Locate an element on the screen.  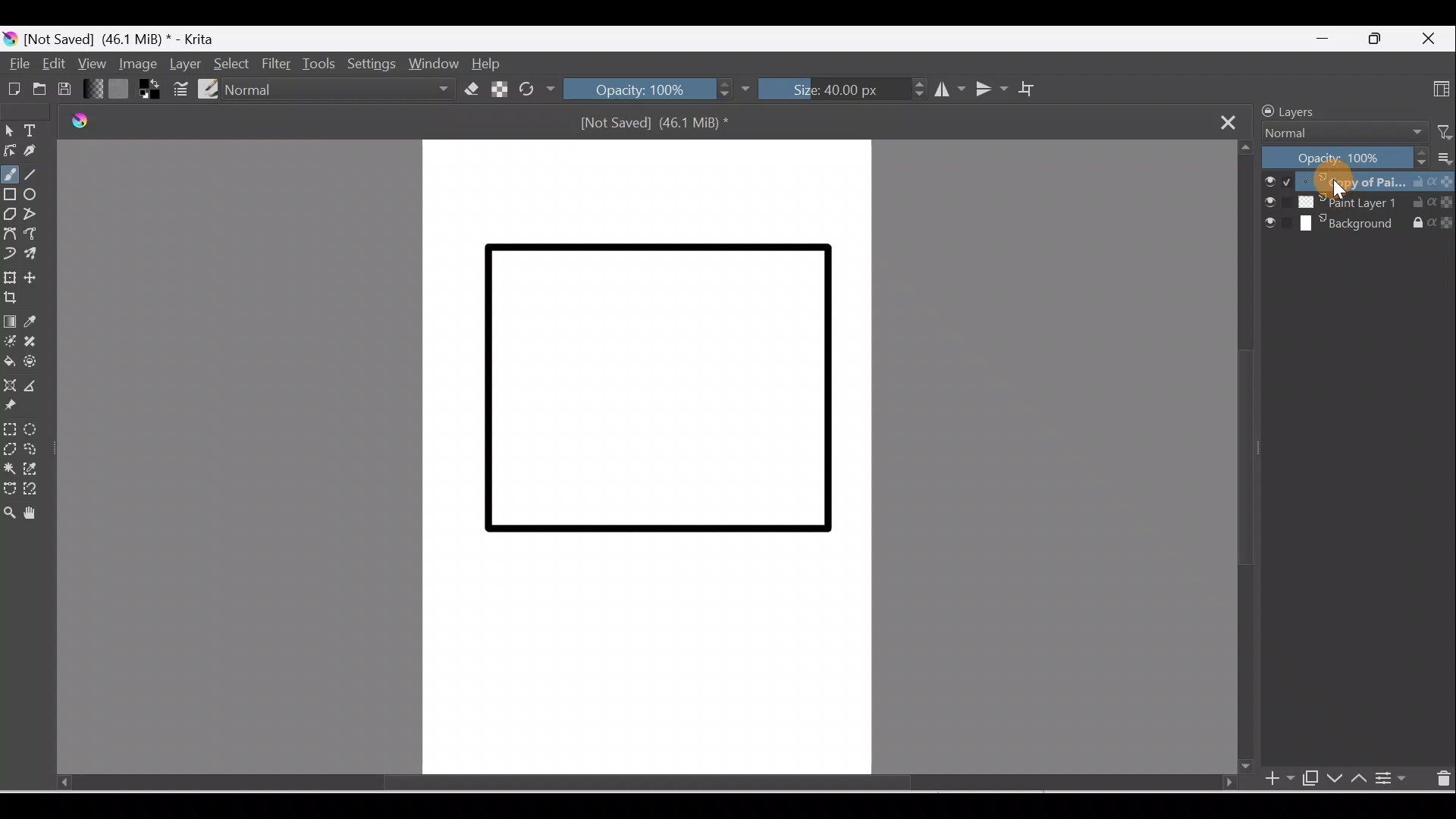
Magnetic curve selection tool is located at coordinates (31, 489).